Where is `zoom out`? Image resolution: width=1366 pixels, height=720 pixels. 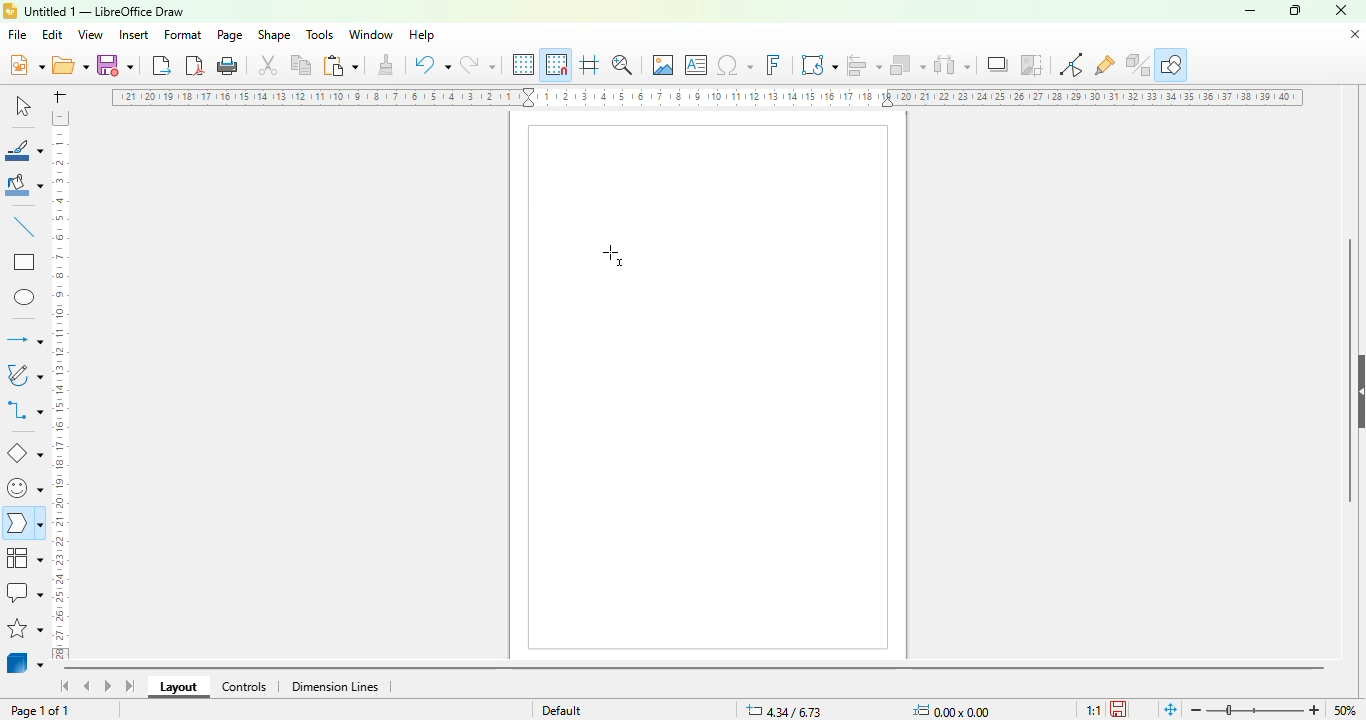
zoom out is located at coordinates (1197, 710).